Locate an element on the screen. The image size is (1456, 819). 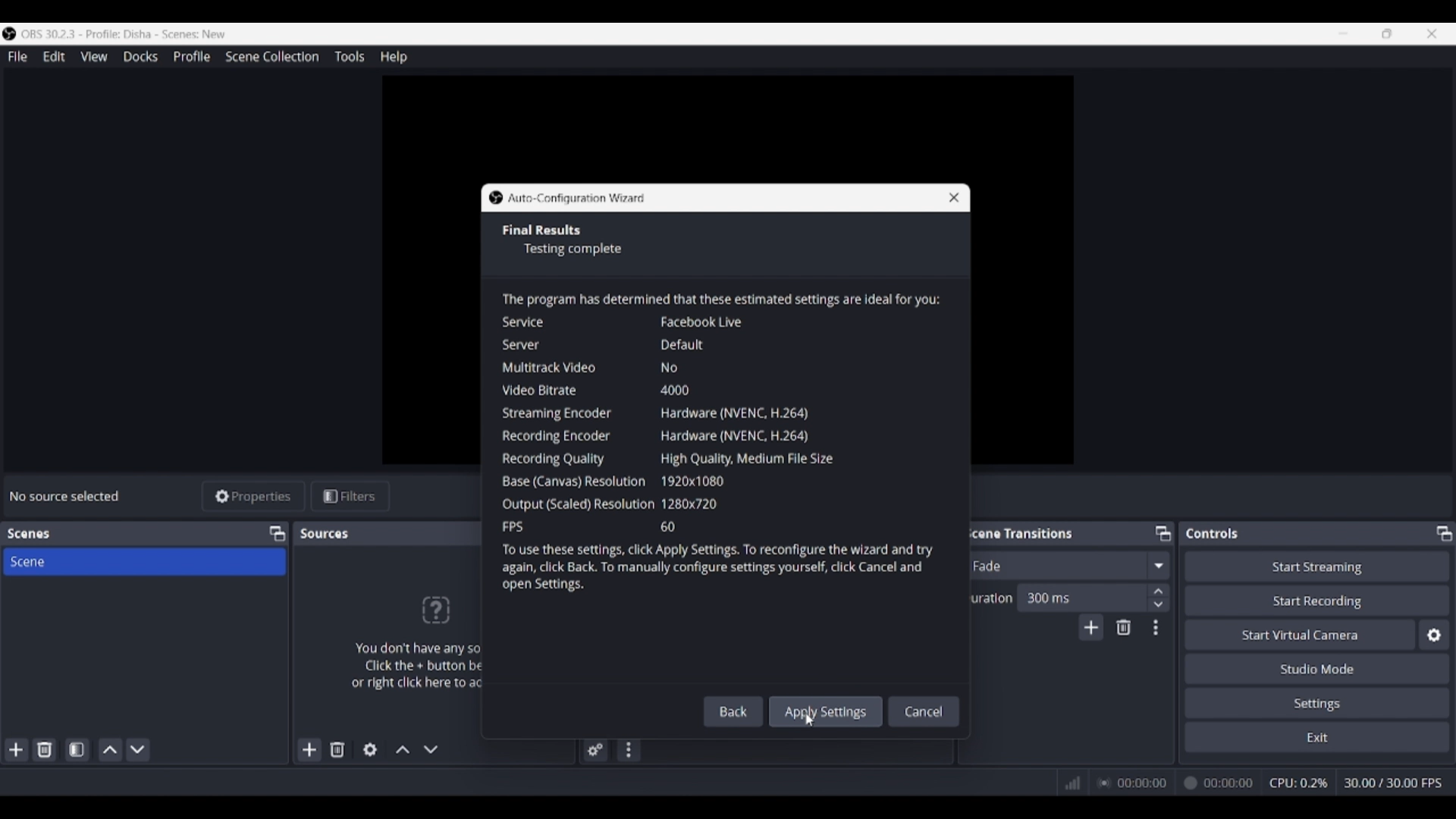
Move scene down is located at coordinates (137, 750).